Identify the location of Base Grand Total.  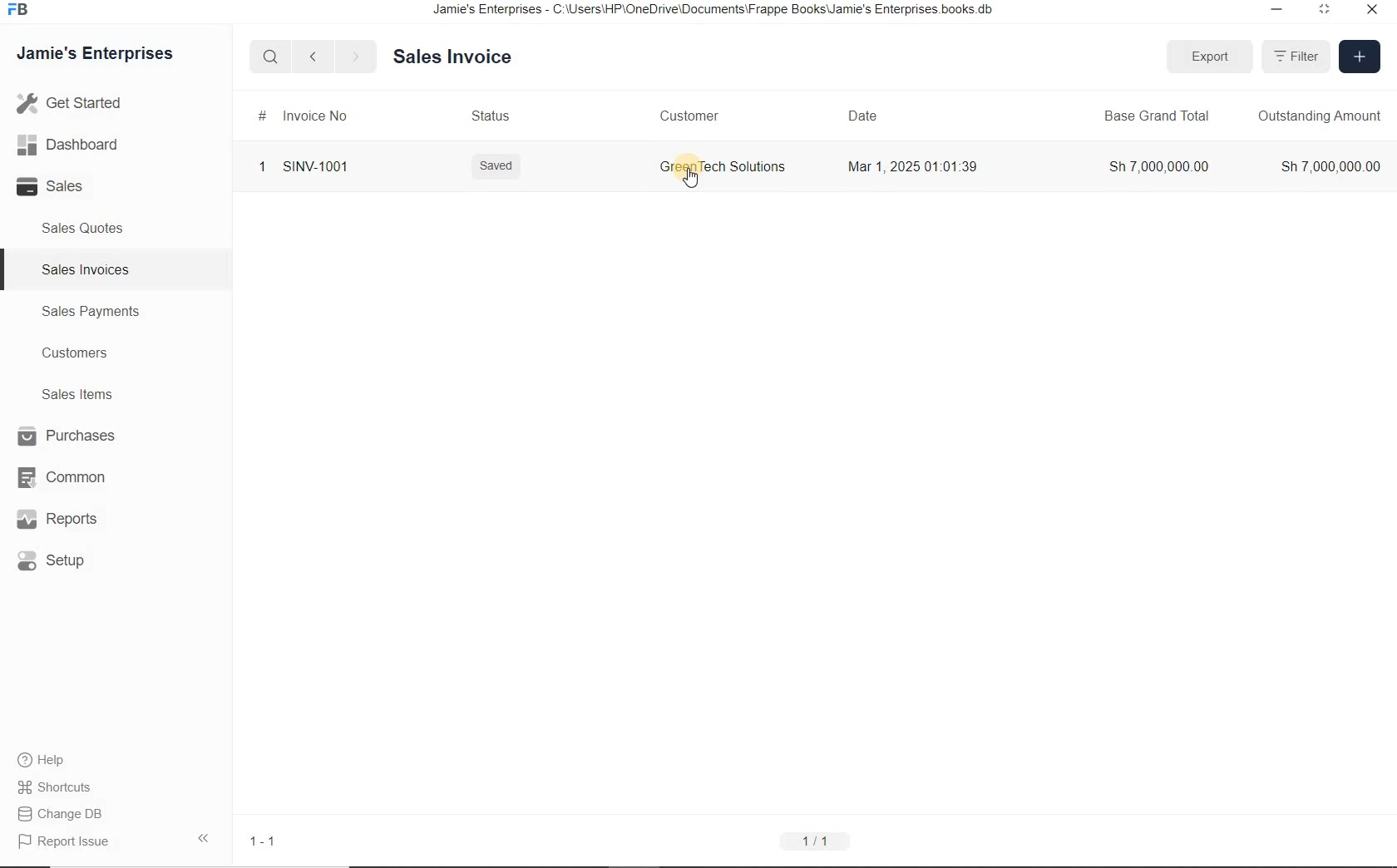
(1155, 116).